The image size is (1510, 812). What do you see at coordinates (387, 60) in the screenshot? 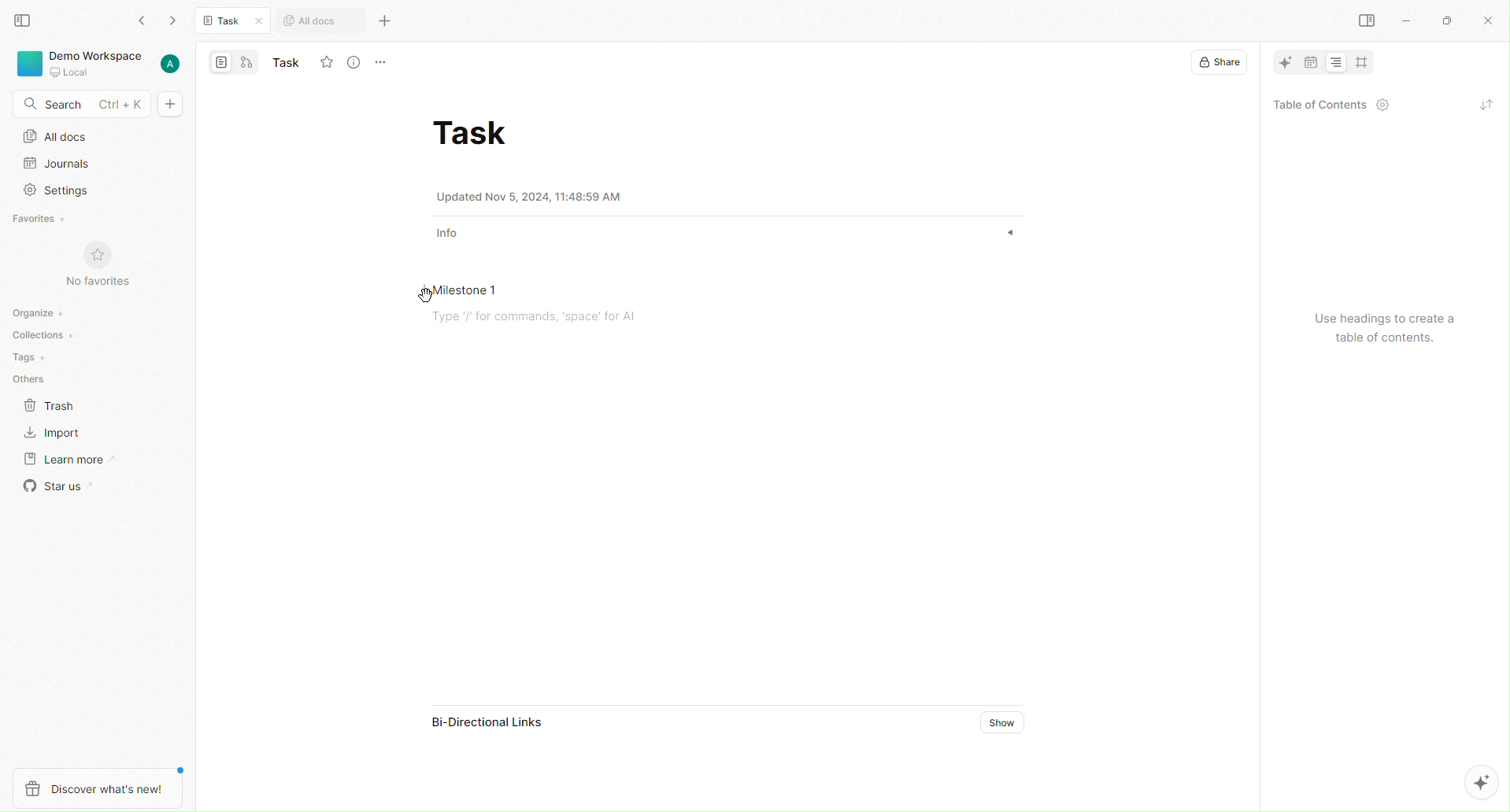
I see `More` at bounding box center [387, 60].